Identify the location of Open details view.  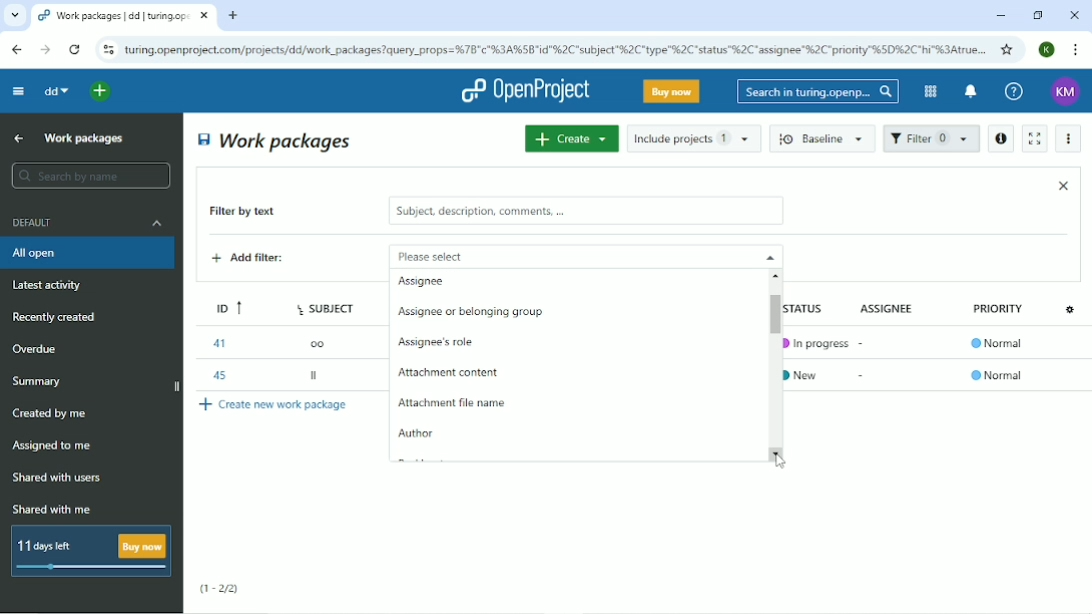
(1000, 139).